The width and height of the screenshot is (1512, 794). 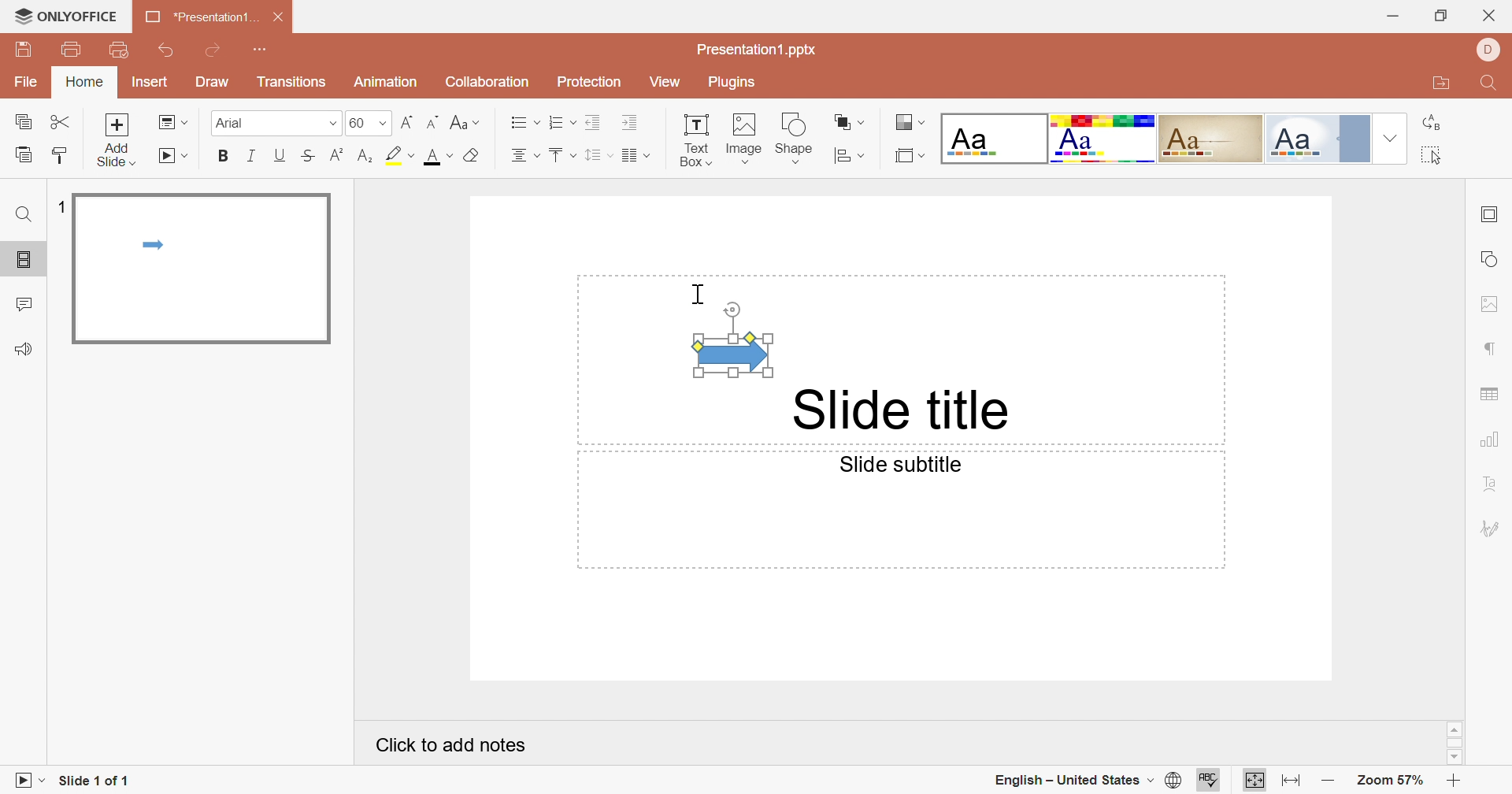 I want to click on Decrease indent, so click(x=594, y=122).